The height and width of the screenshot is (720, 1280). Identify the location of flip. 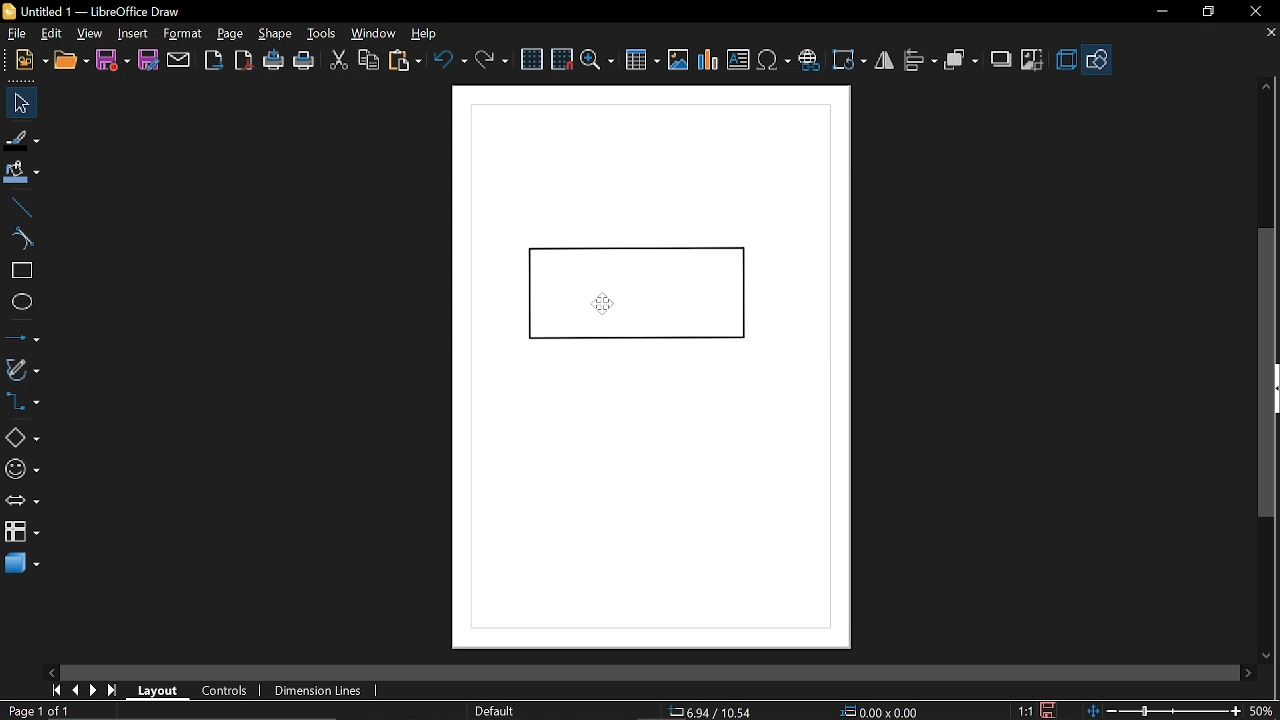
(884, 61).